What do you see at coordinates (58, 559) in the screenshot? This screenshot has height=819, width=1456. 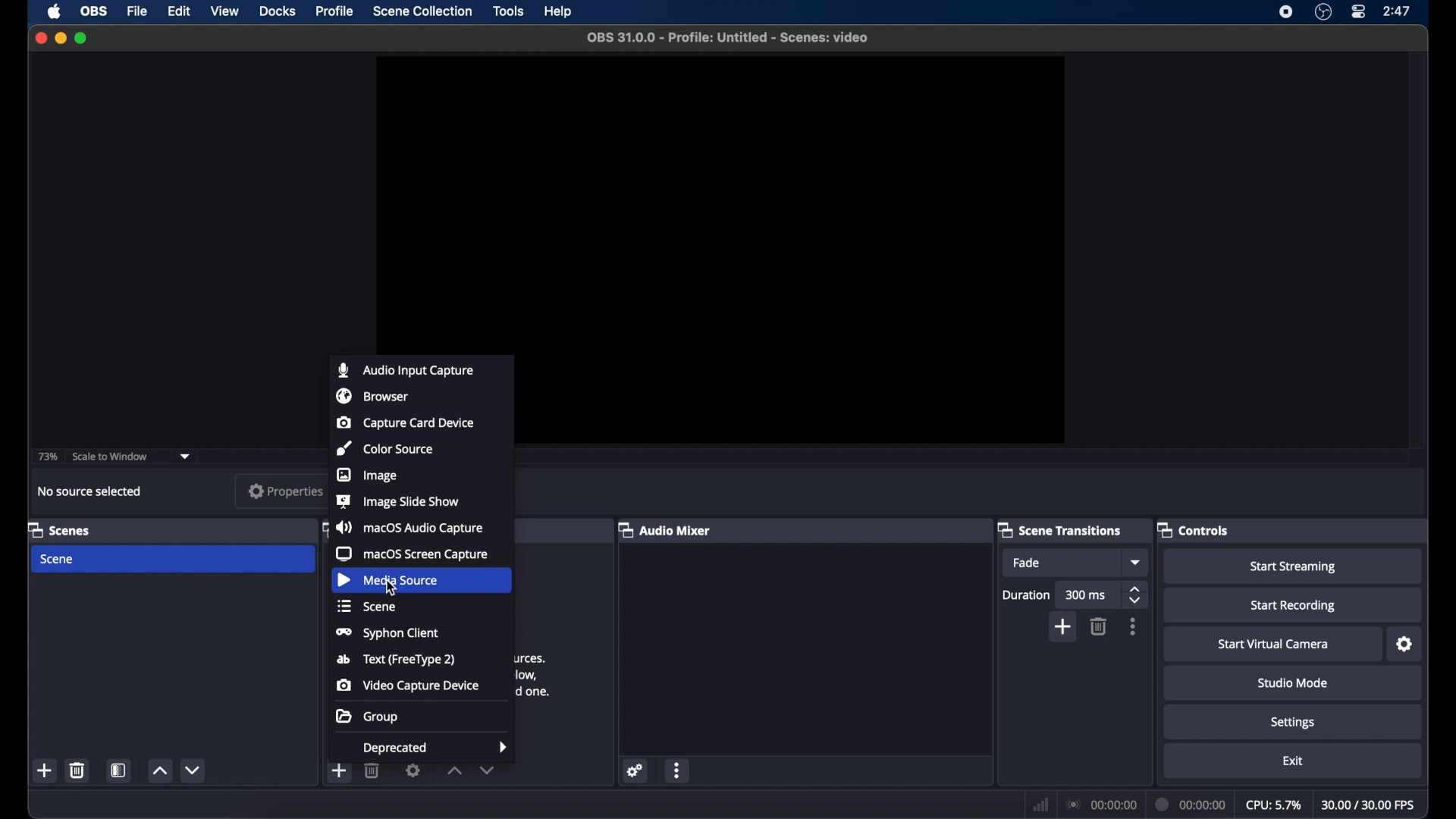 I see `scene` at bounding box center [58, 559].